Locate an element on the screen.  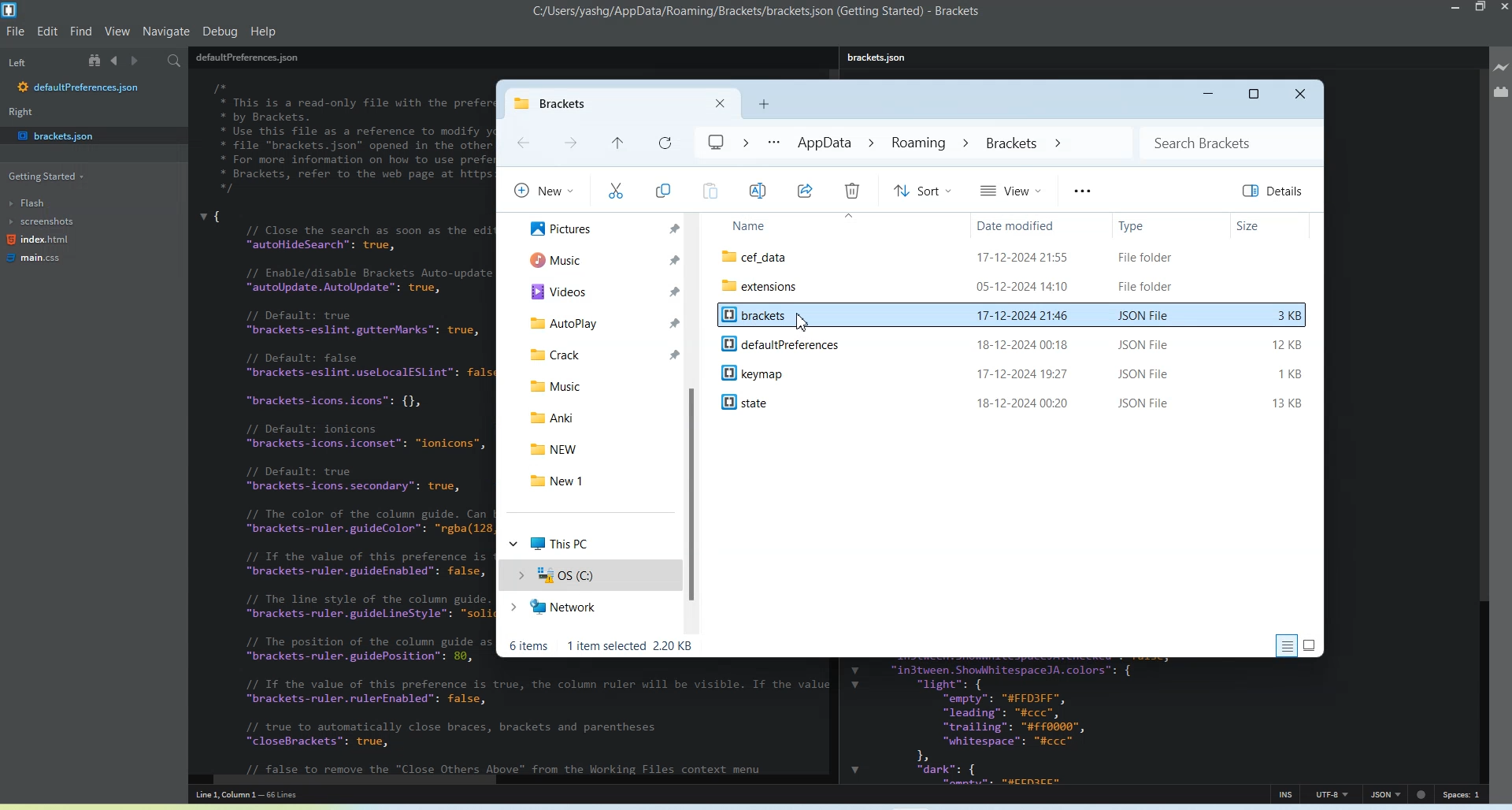
Maximize is located at coordinates (1481, 8).